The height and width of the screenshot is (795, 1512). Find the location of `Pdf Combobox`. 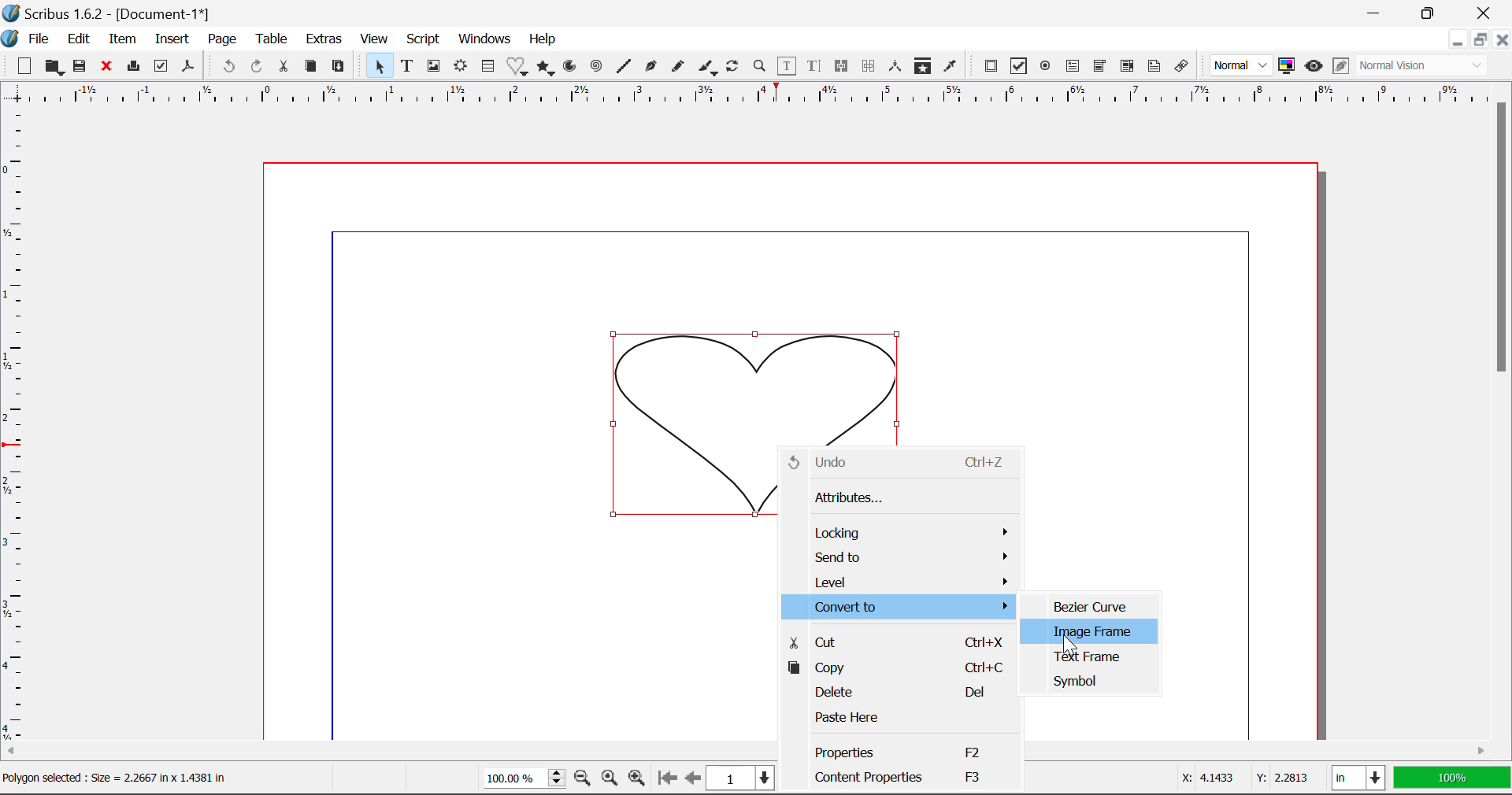

Pdf Combobox is located at coordinates (1101, 68).